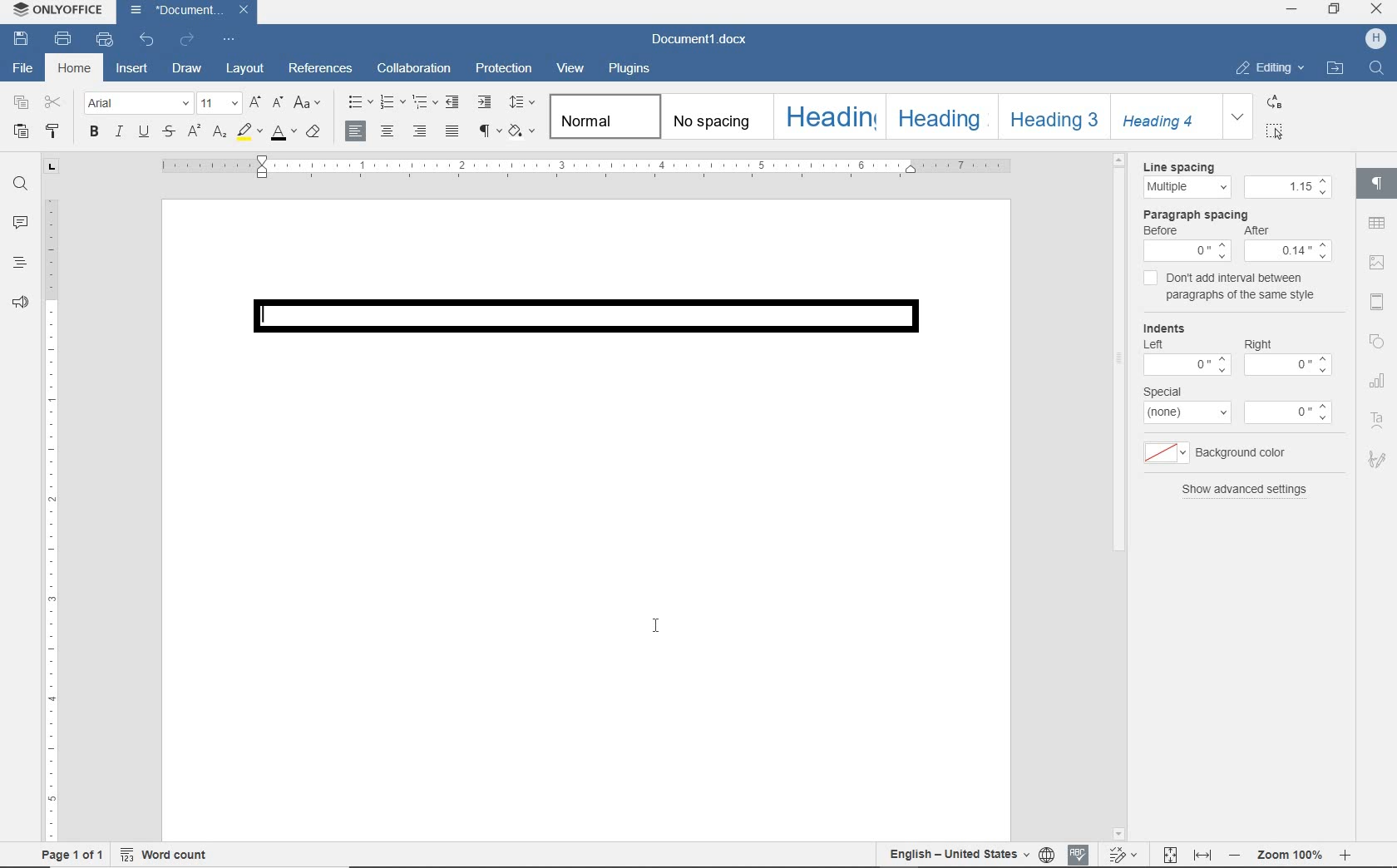  I want to click on insert, so click(133, 69).